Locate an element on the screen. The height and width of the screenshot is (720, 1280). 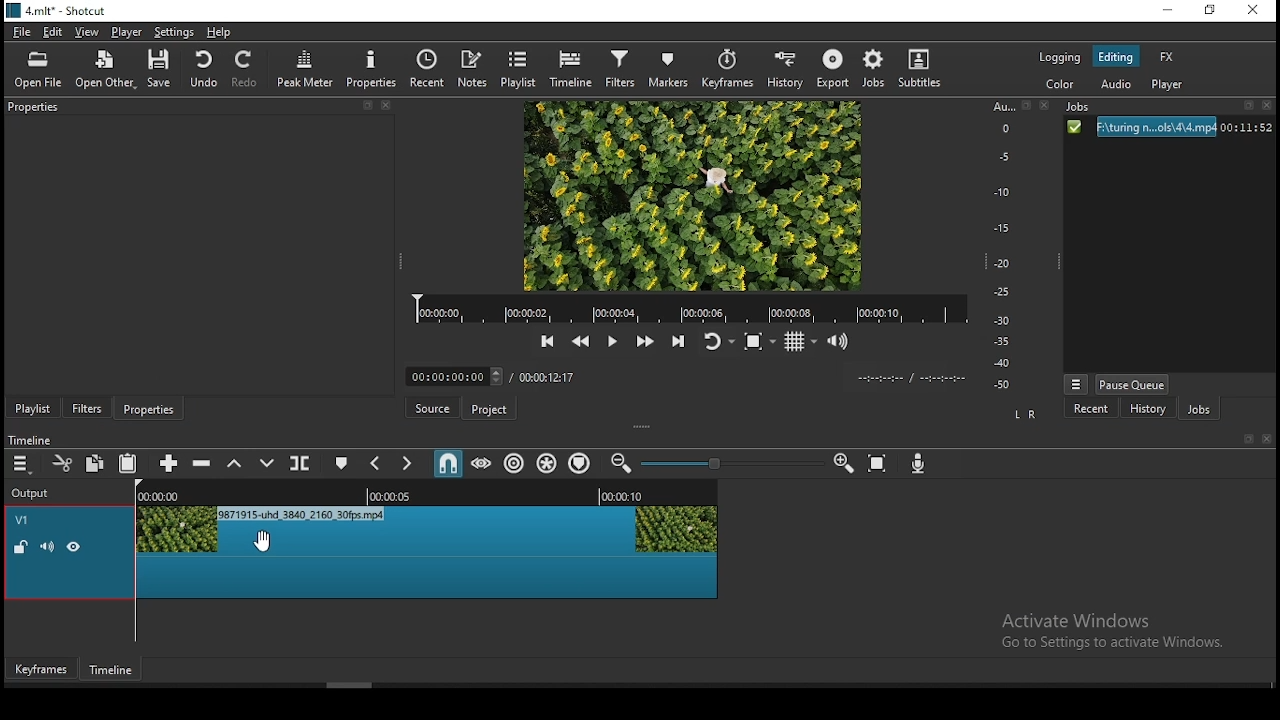
Jobs is located at coordinates (1082, 108).